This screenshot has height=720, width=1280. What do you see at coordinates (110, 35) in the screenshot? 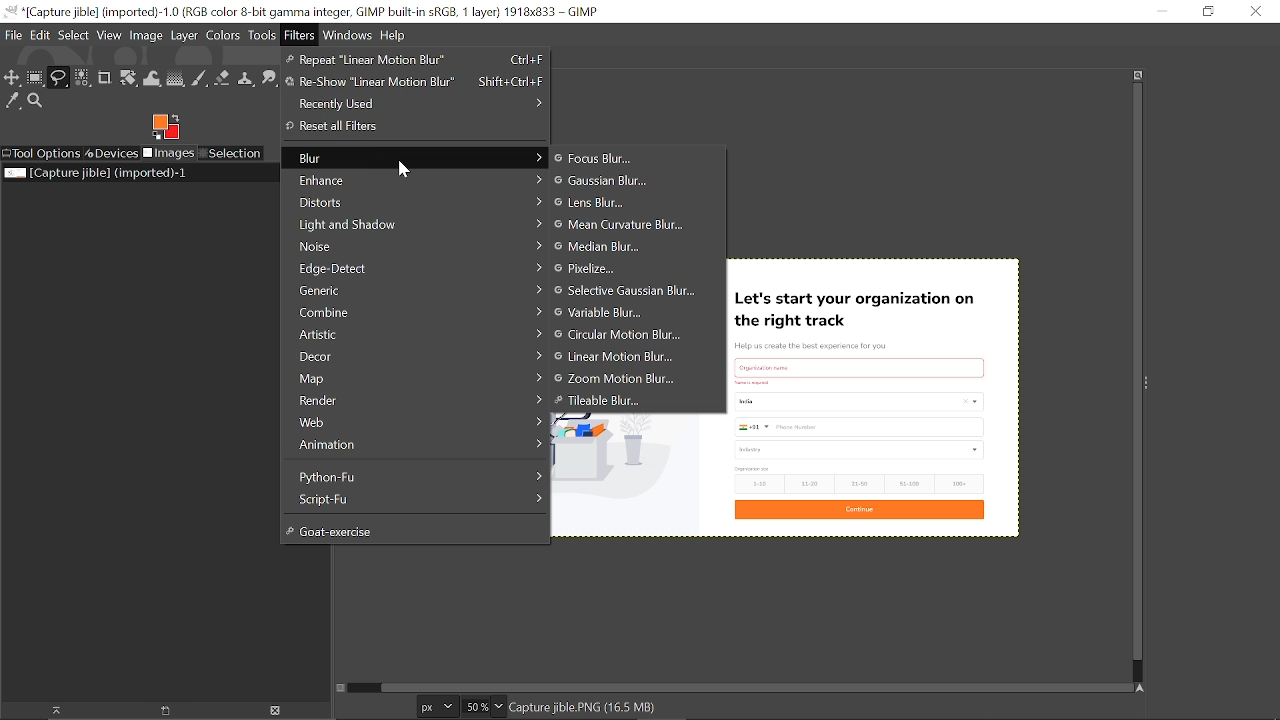
I see `View` at bounding box center [110, 35].